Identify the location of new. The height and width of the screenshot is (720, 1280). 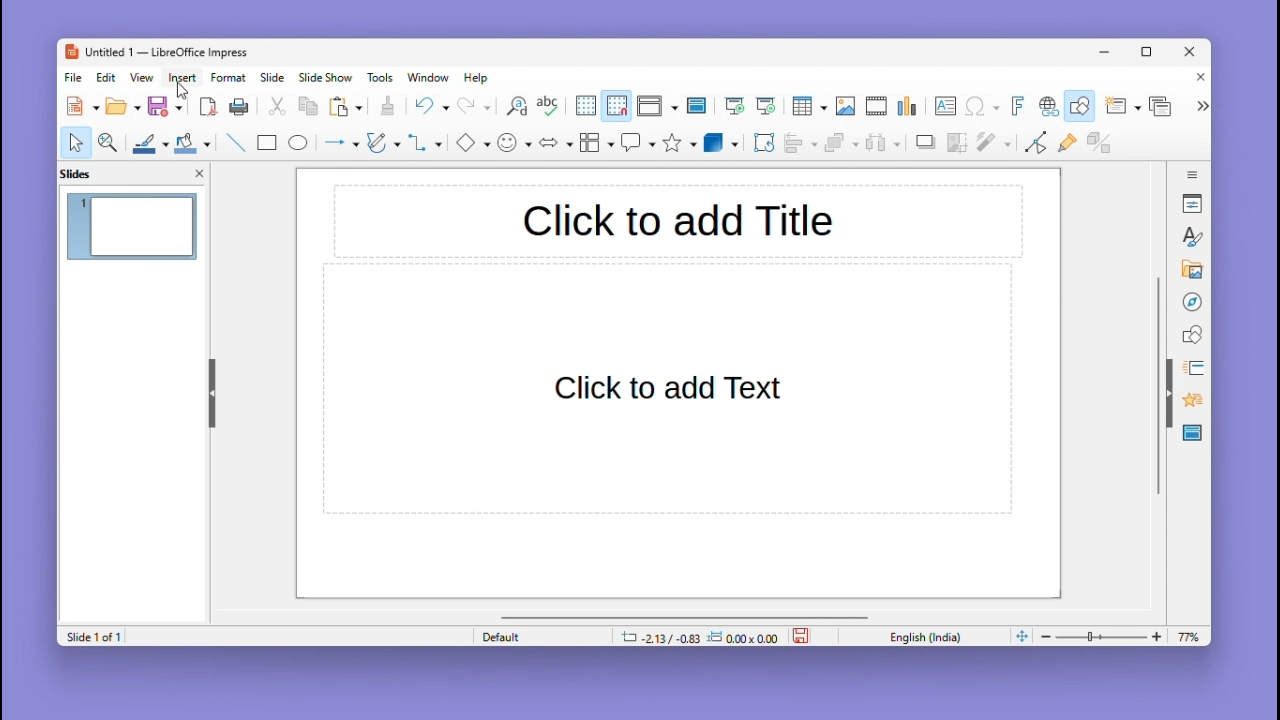
(84, 106).